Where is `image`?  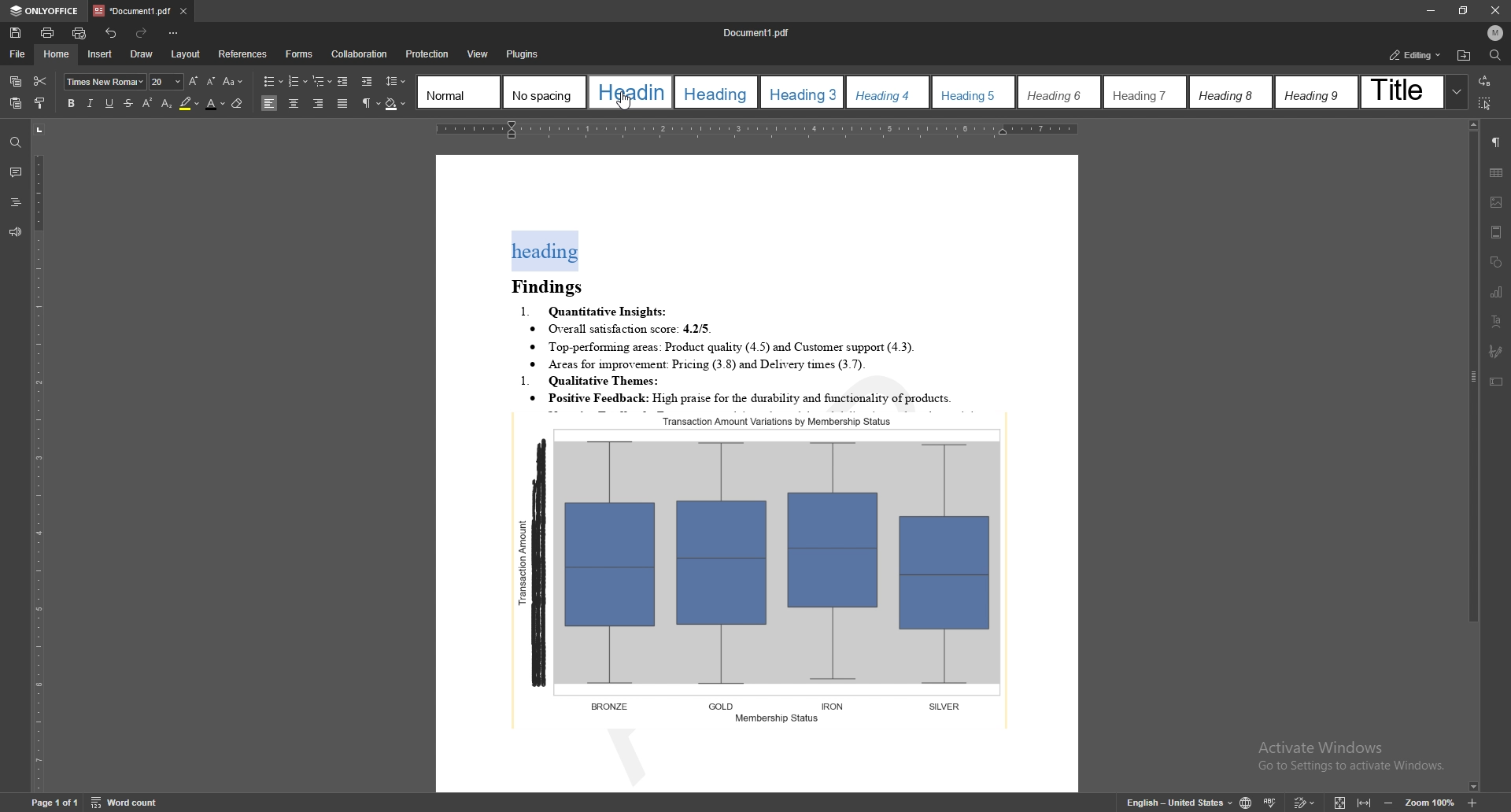 image is located at coordinates (1496, 202).